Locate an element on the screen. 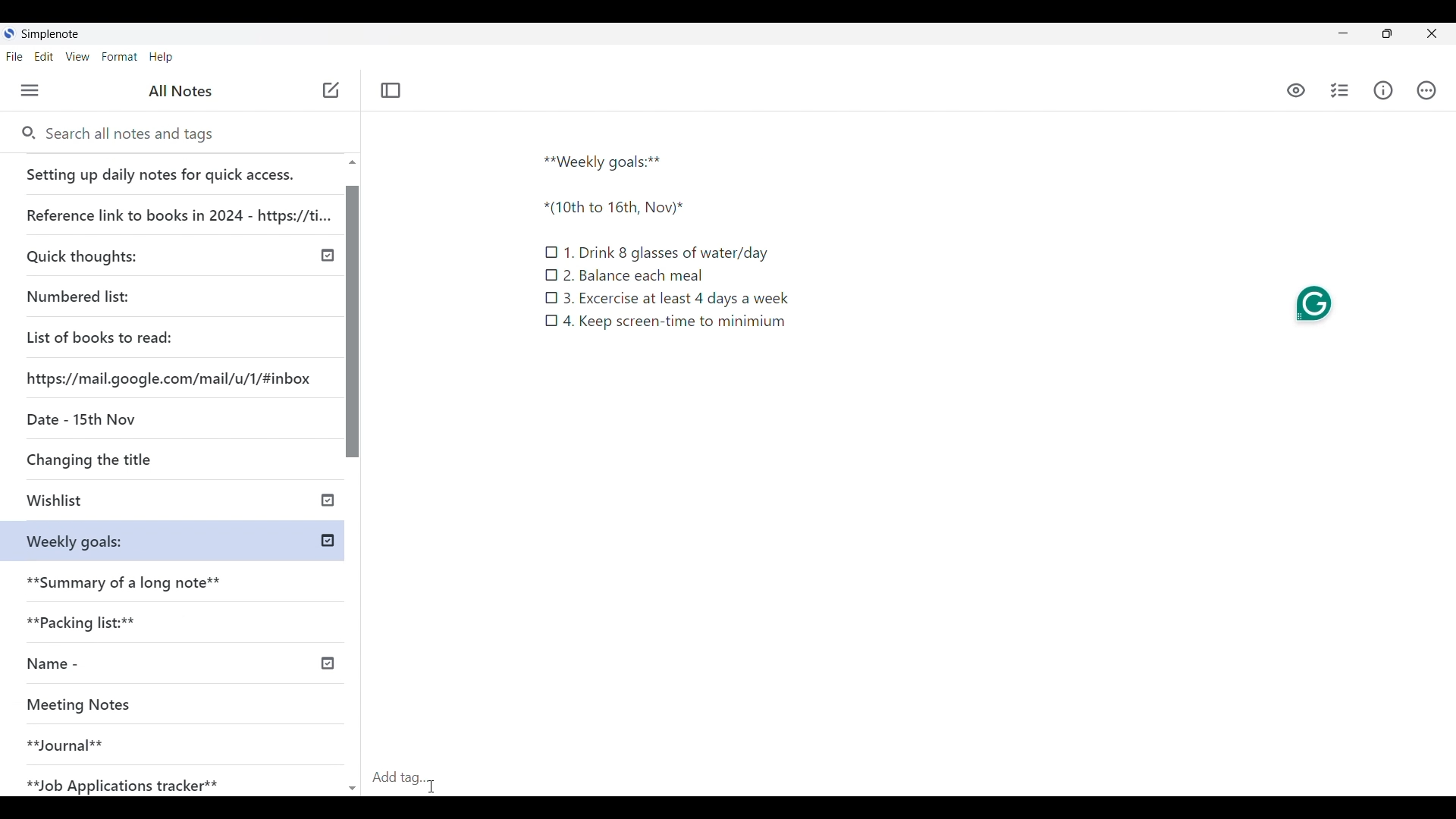  Website is located at coordinates (171, 377).